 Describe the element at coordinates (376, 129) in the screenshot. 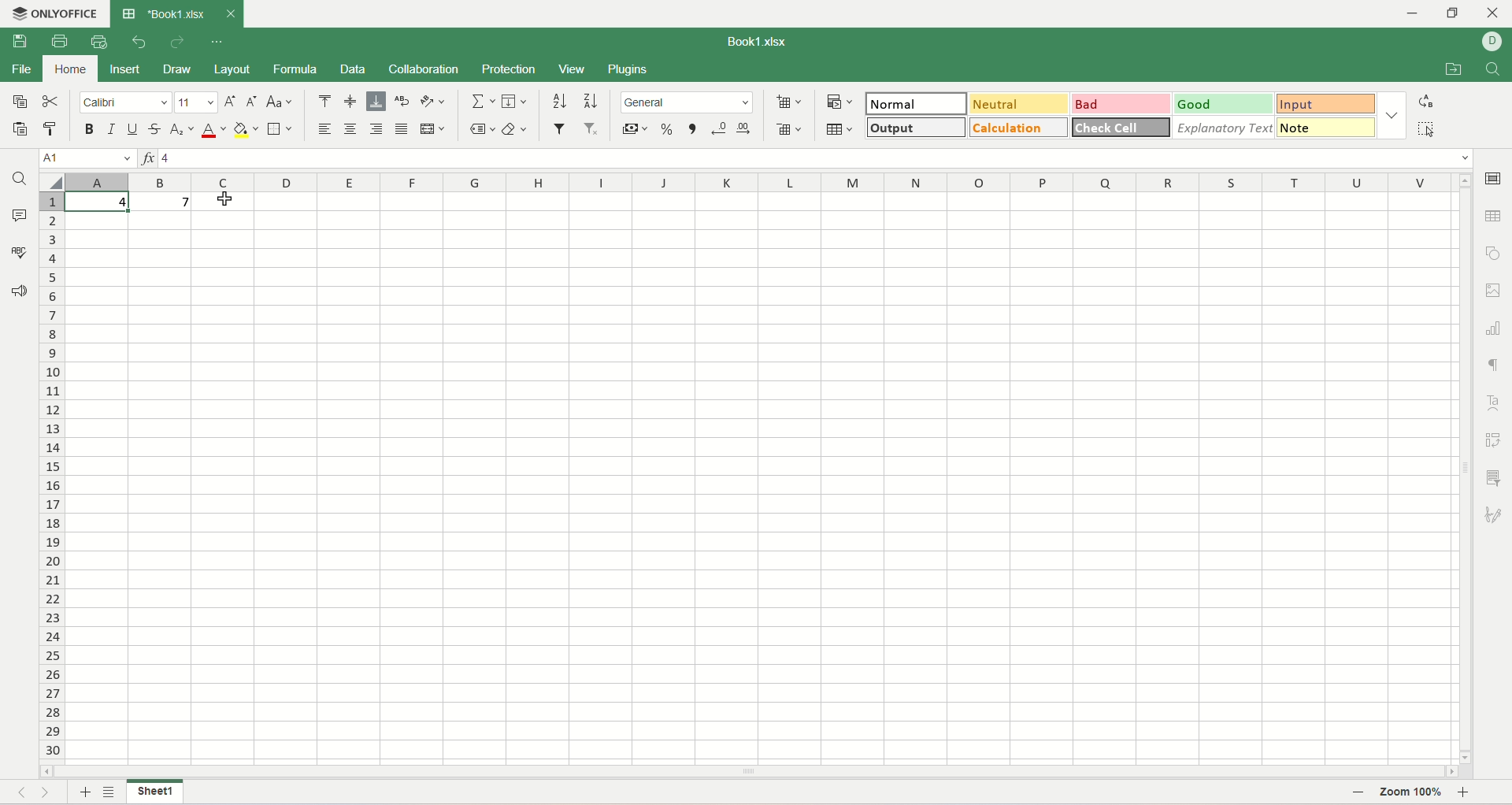

I see `align right ` at that location.